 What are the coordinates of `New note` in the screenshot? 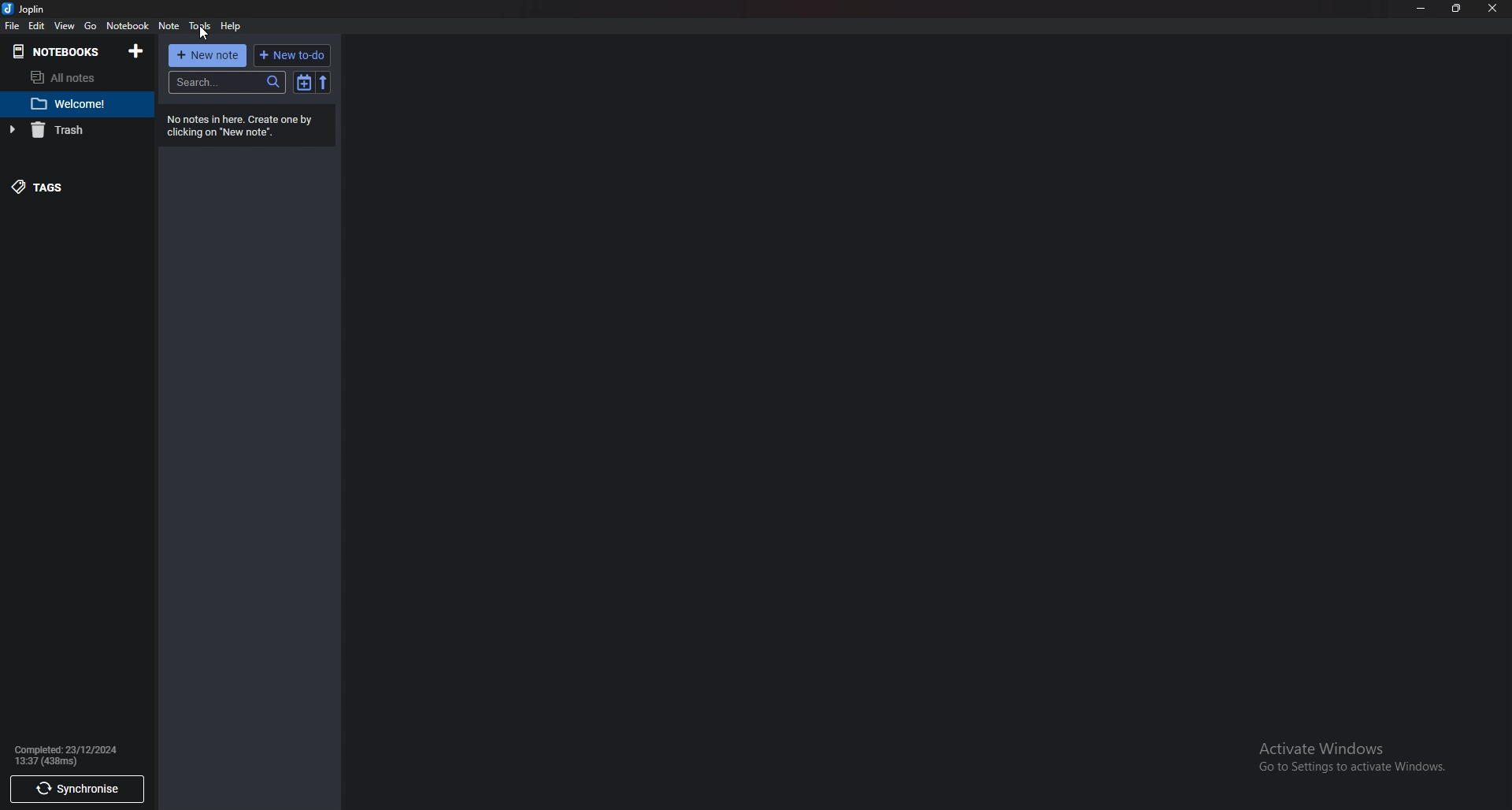 It's located at (206, 56).